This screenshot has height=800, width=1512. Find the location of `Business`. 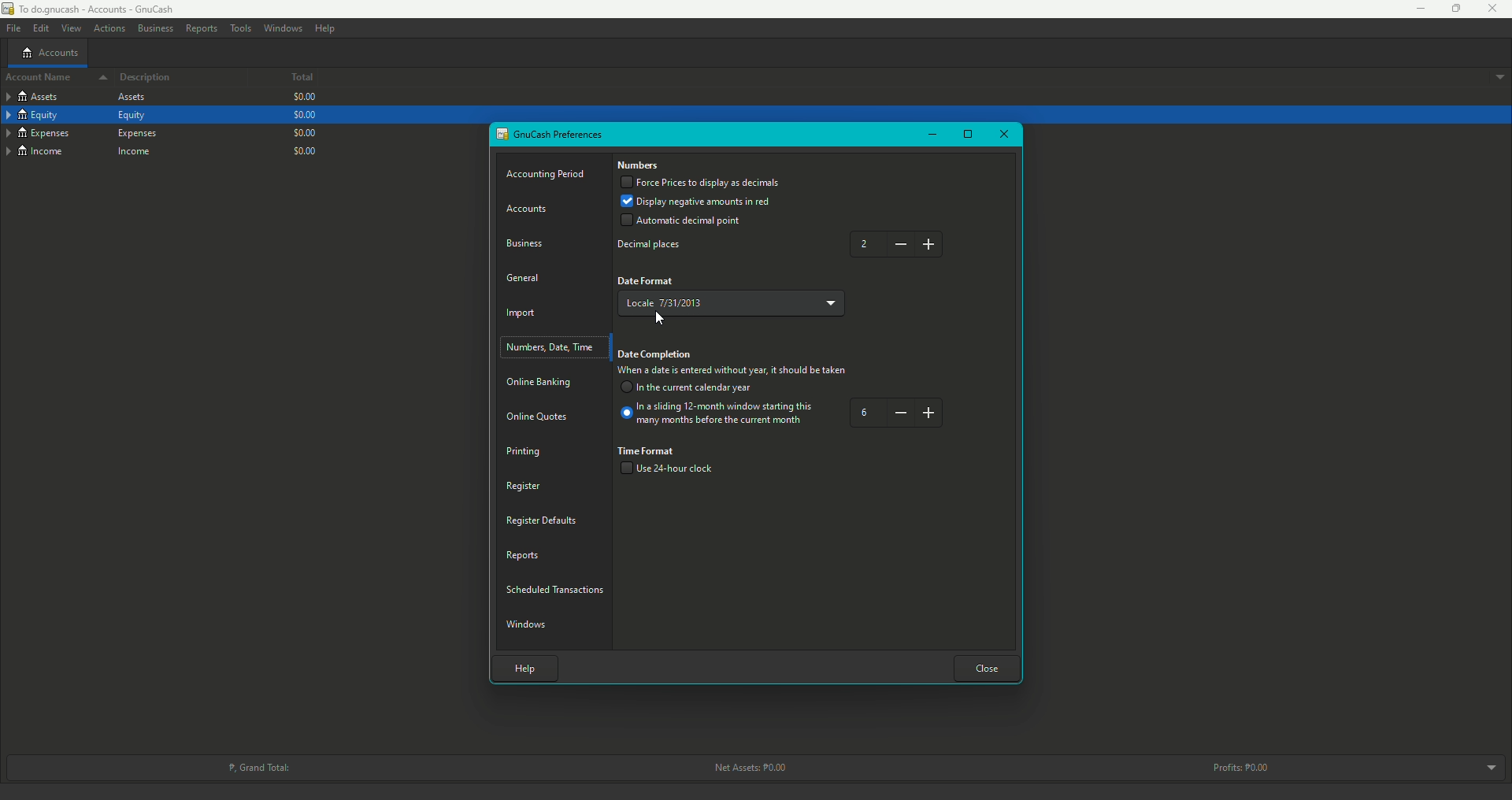

Business is located at coordinates (154, 27).